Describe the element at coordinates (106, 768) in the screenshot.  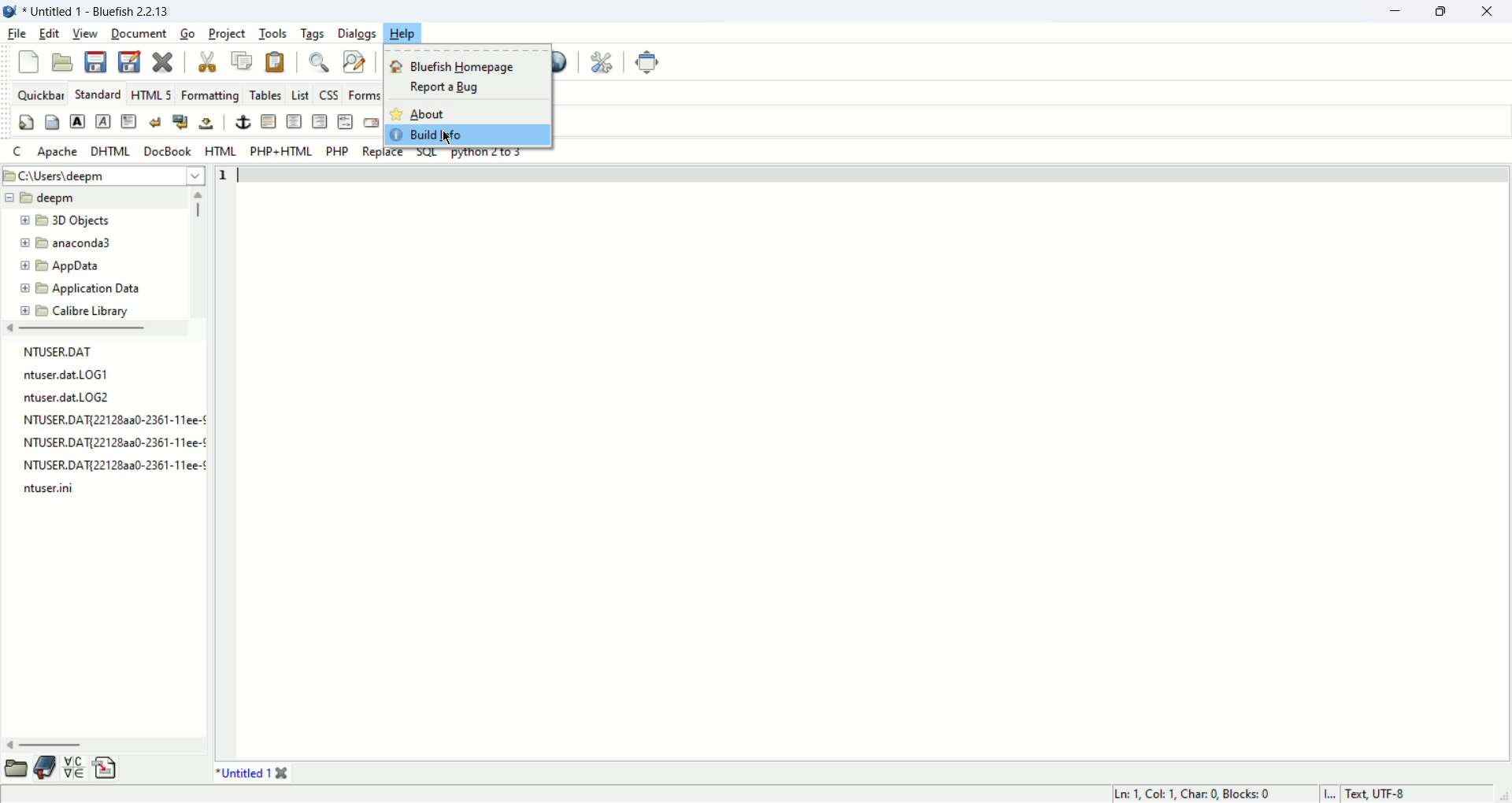
I see `snippets` at that location.